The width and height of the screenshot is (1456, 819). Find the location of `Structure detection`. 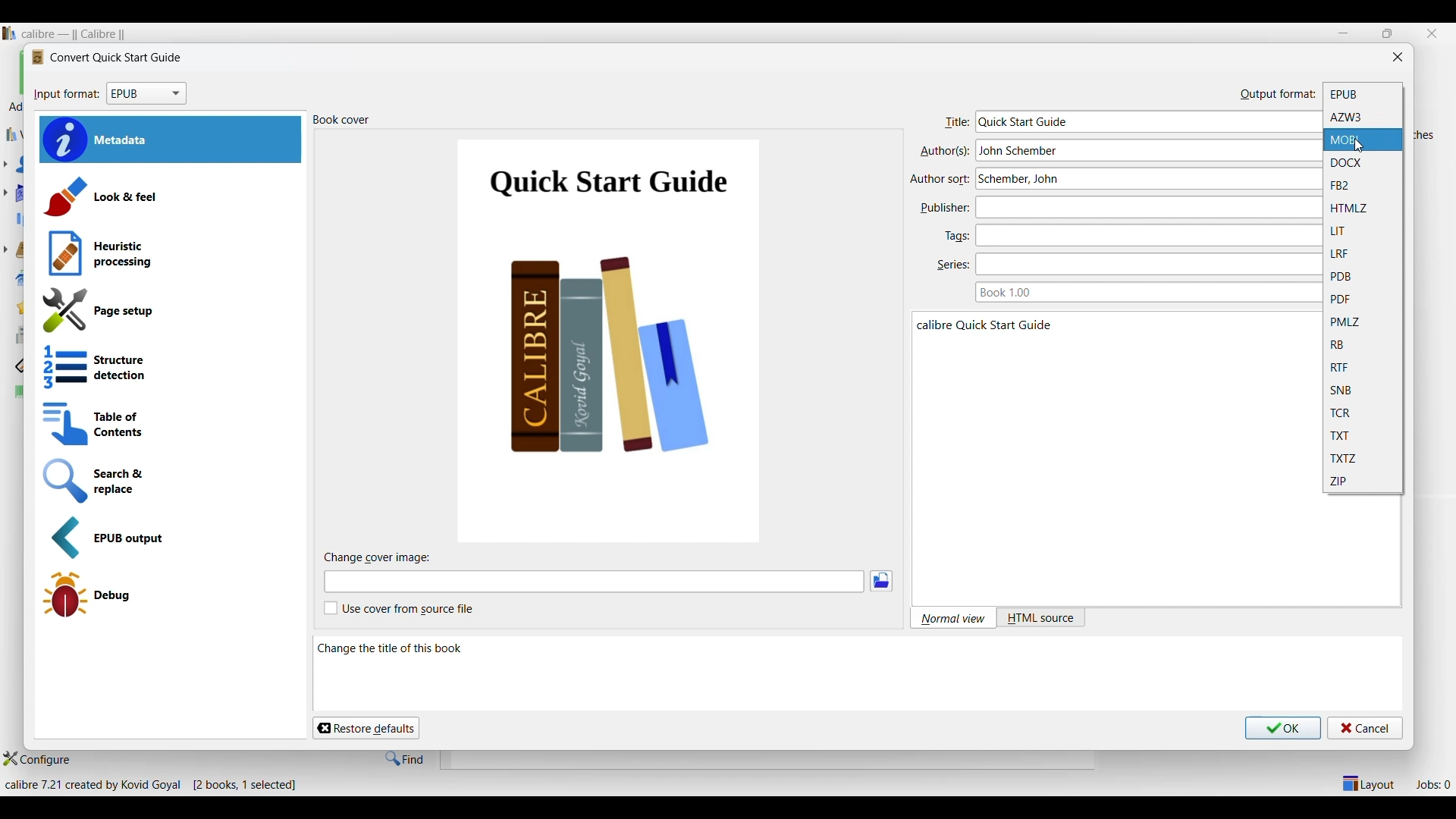

Structure detection is located at coordinates (168, 368).